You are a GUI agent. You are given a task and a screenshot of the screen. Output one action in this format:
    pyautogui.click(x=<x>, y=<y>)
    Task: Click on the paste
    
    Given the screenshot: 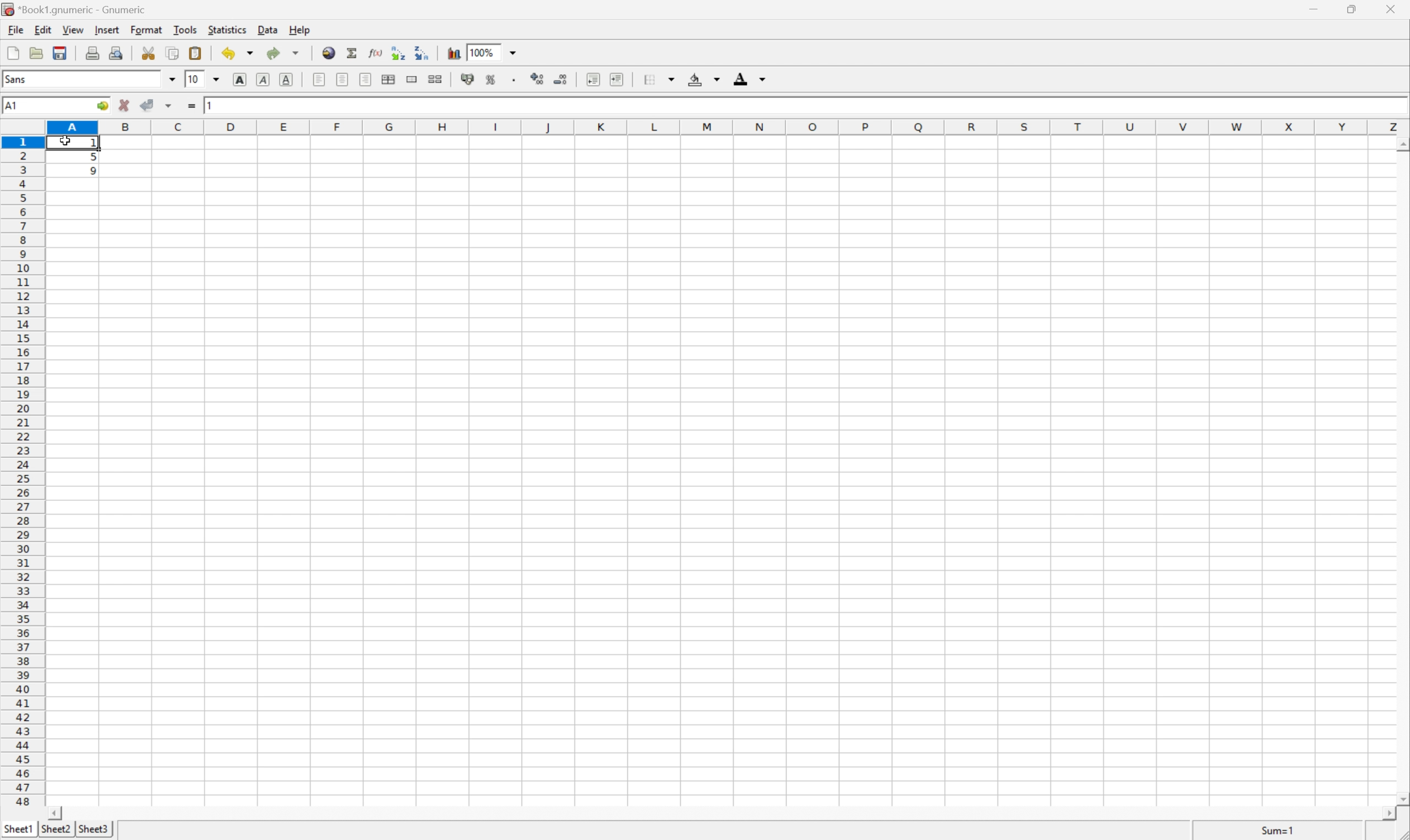 What is the action you would take?
    pyautogui.click(x=198, y=53)
    